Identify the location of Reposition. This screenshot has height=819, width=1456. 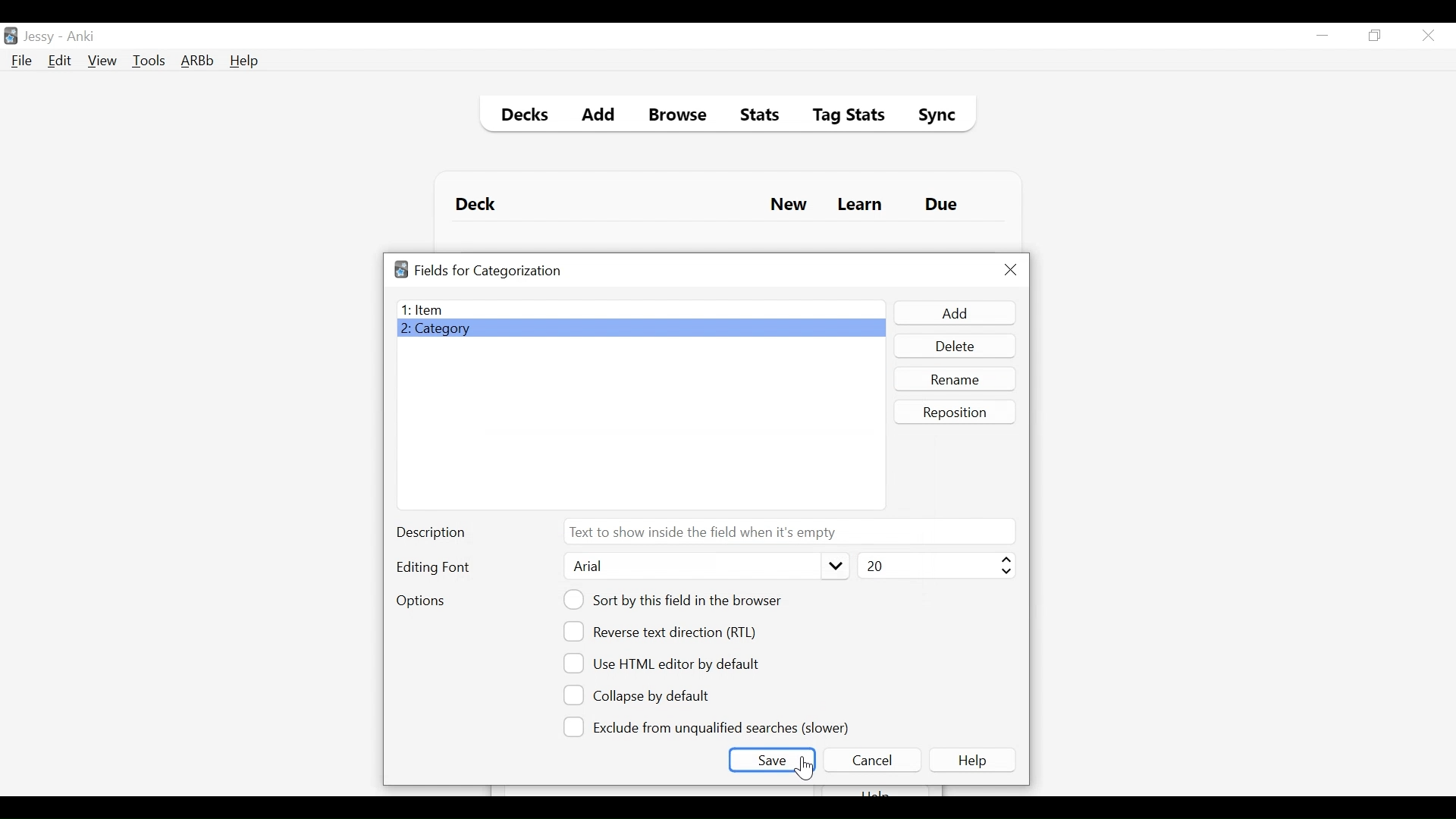
(956, 412).